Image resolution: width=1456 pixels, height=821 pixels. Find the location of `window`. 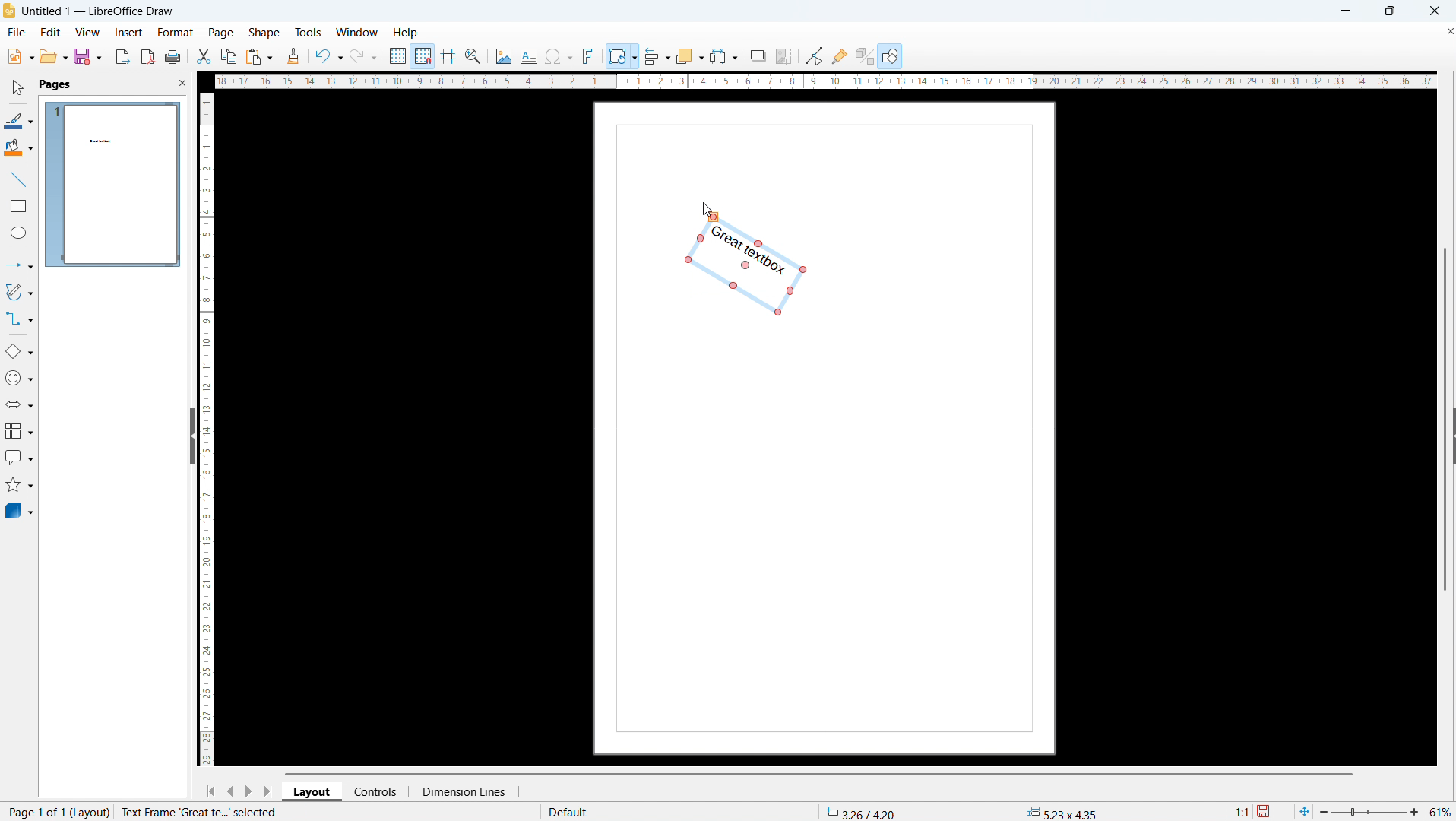

window is located at coordinates (357, 33).